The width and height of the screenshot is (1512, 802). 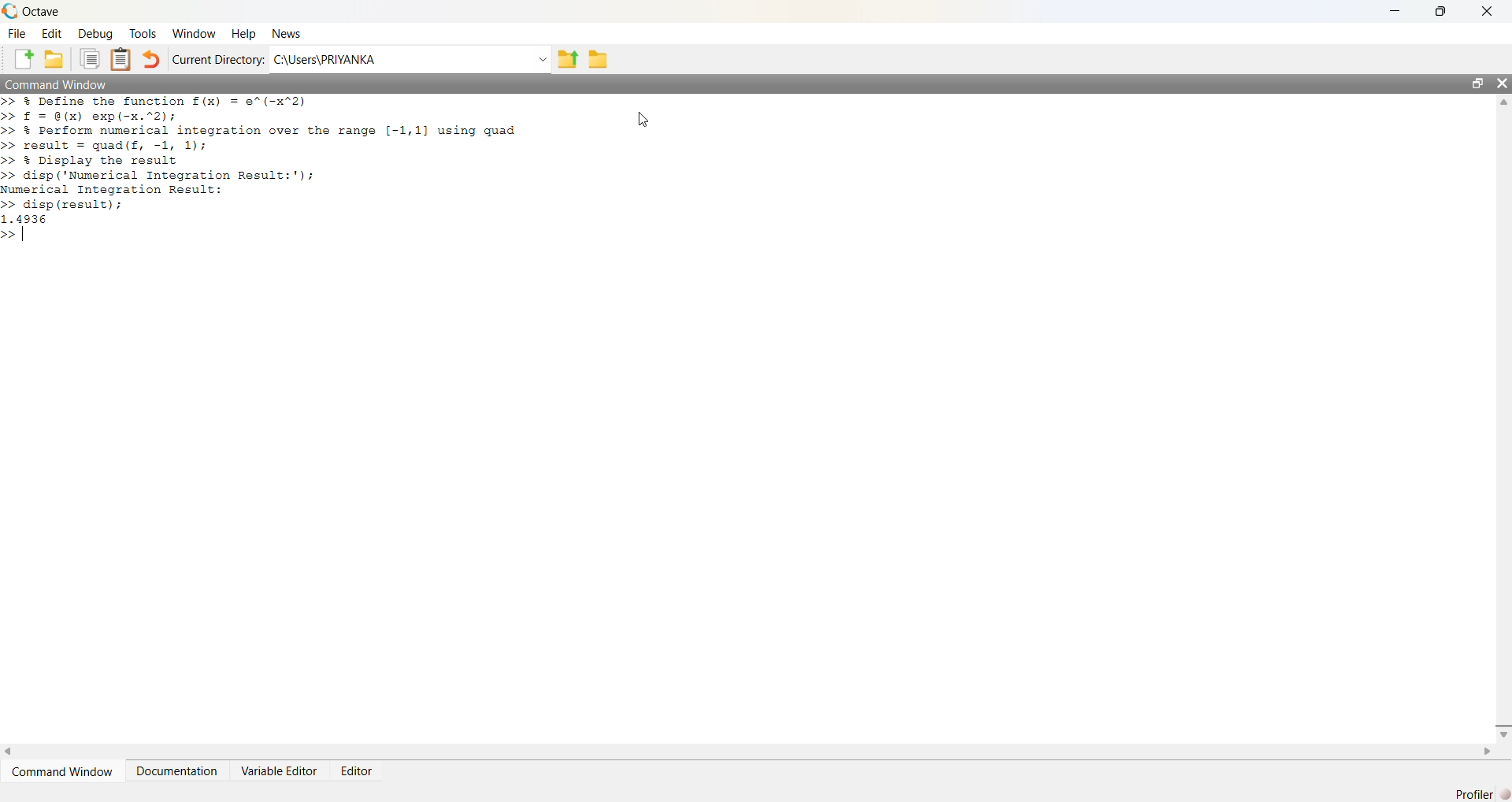 What do you see at coordinates (566, 58) in the screenshot?
I see `one directory up` at bounding box center [566, 58].